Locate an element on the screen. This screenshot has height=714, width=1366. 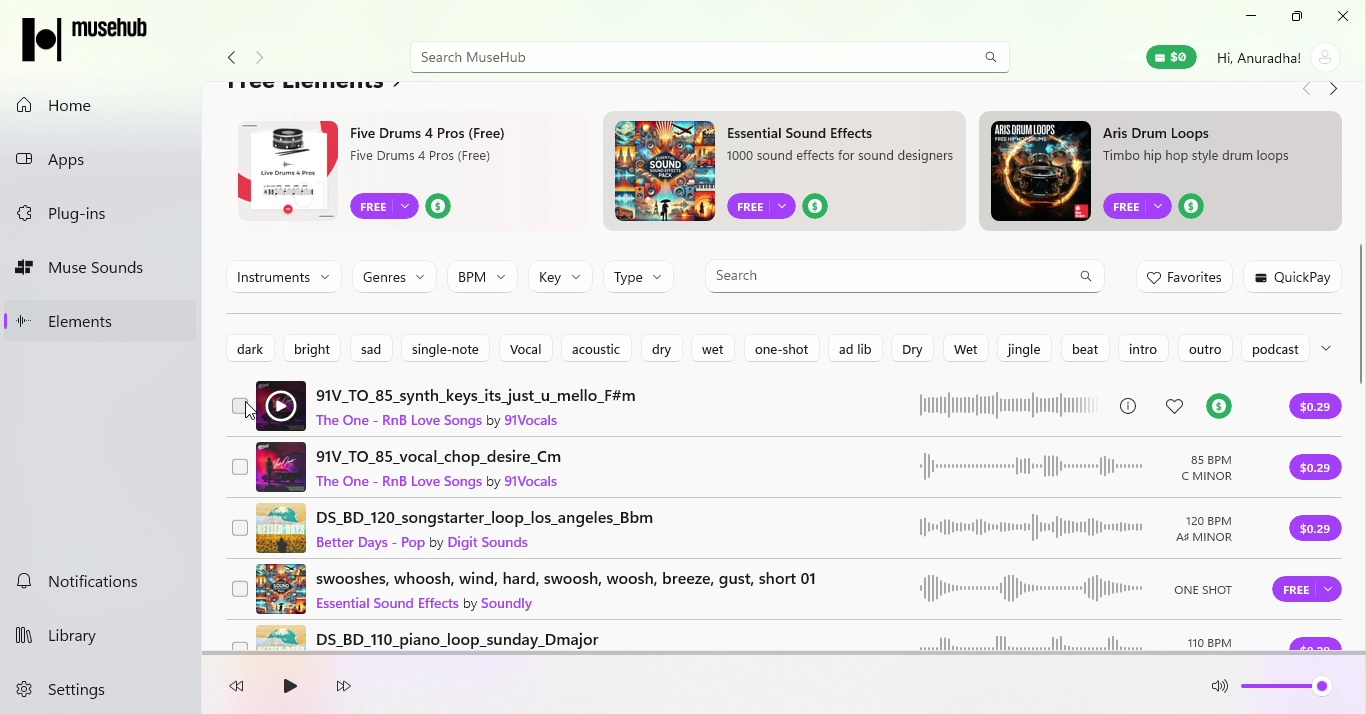
Purchase is located at coordinates (1313, 467).